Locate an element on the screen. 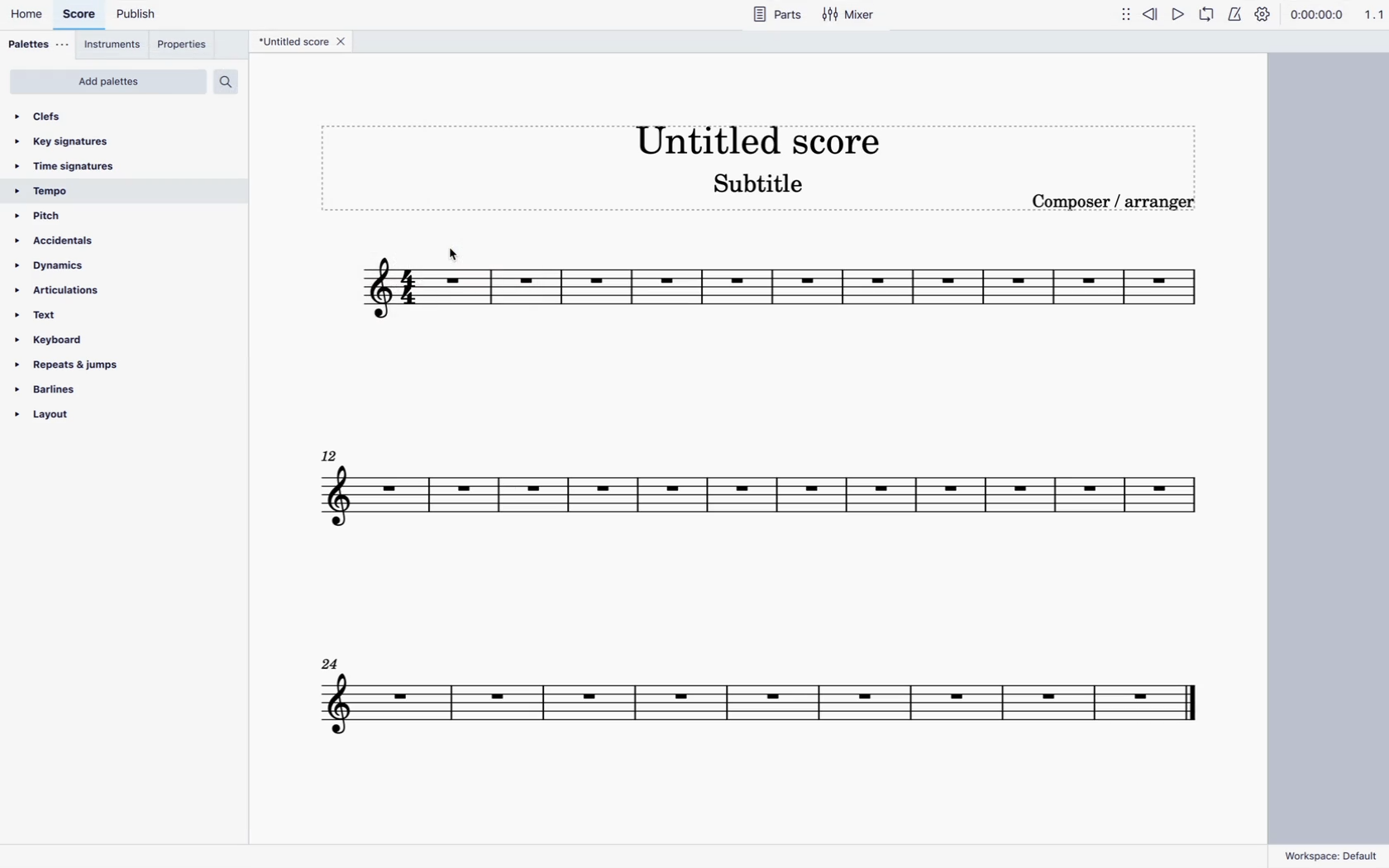  composer / arranger is located at coordinates (1118, 207).